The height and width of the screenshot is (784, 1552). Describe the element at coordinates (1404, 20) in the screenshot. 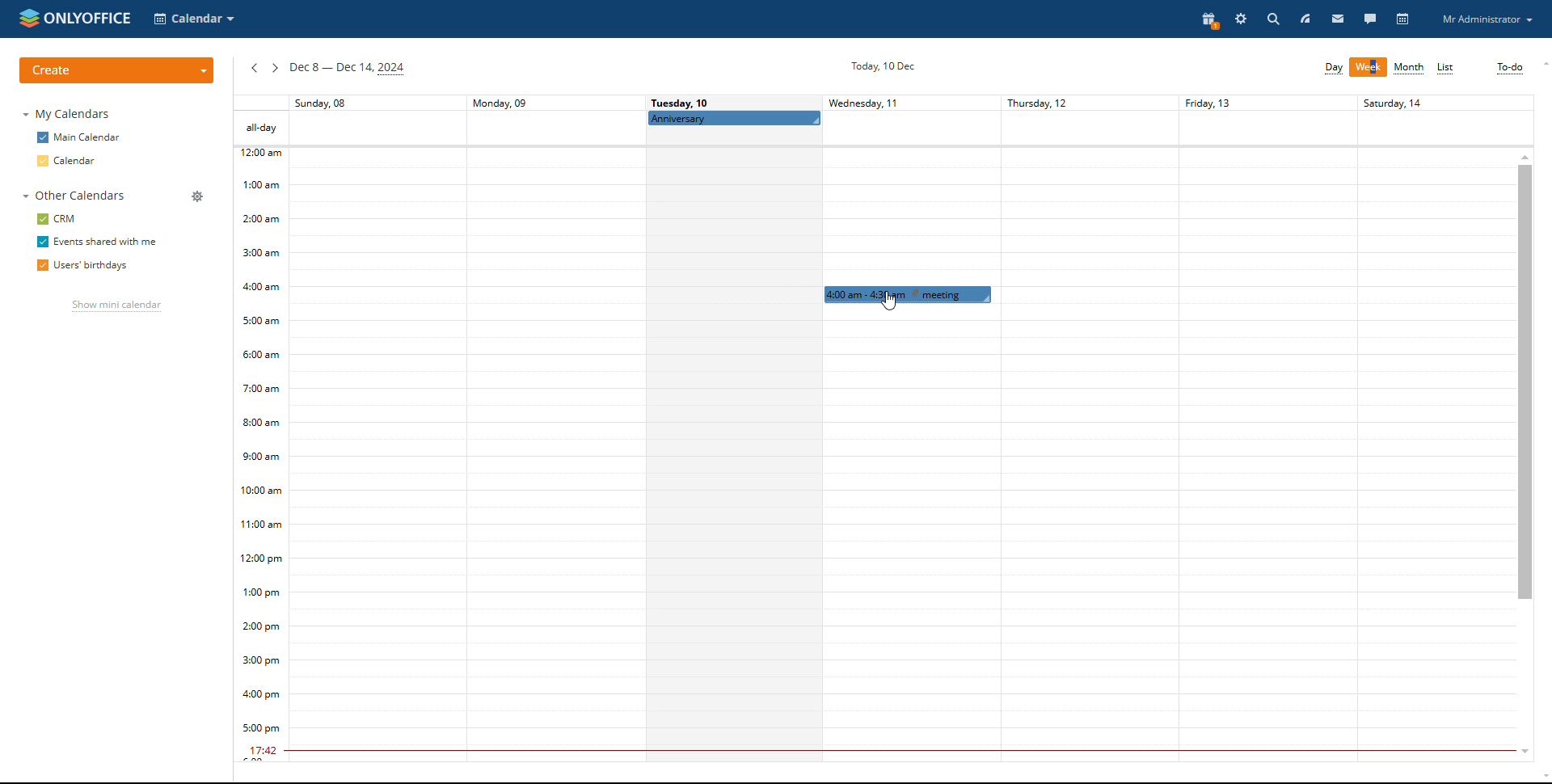

I see `calendar` at that location.